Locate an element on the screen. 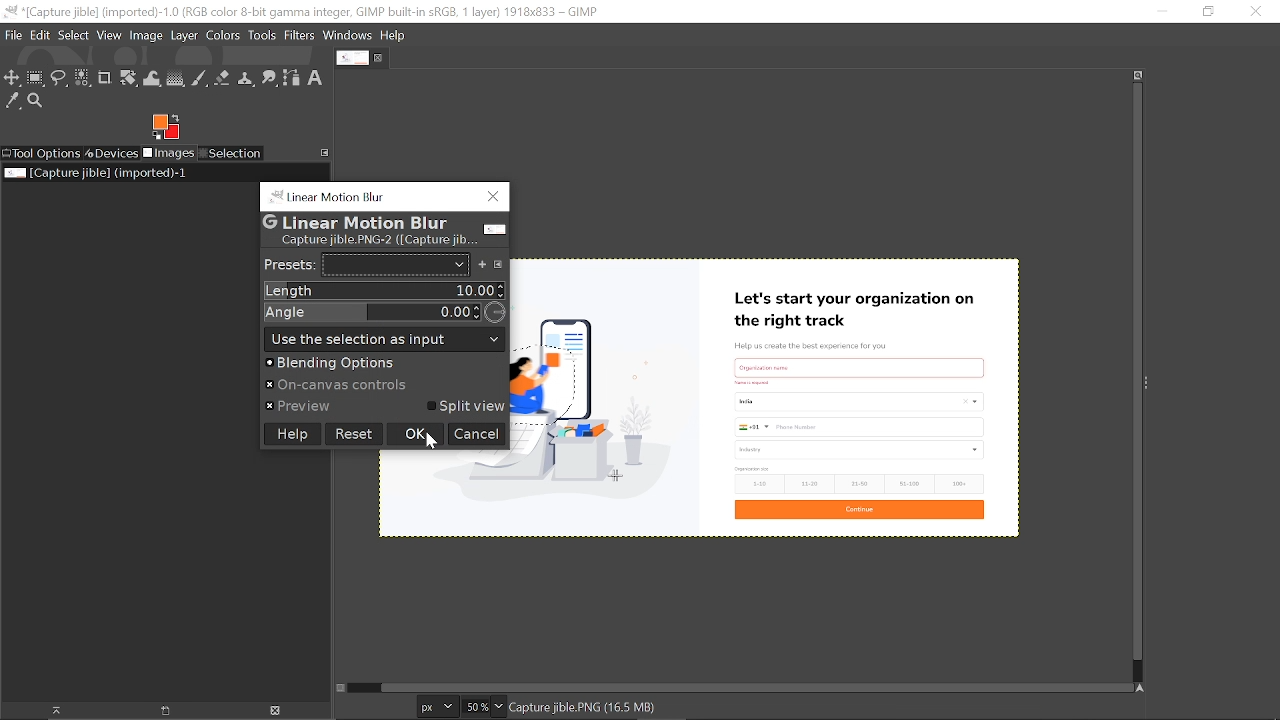  Reset is located at coordinates (353, 433).